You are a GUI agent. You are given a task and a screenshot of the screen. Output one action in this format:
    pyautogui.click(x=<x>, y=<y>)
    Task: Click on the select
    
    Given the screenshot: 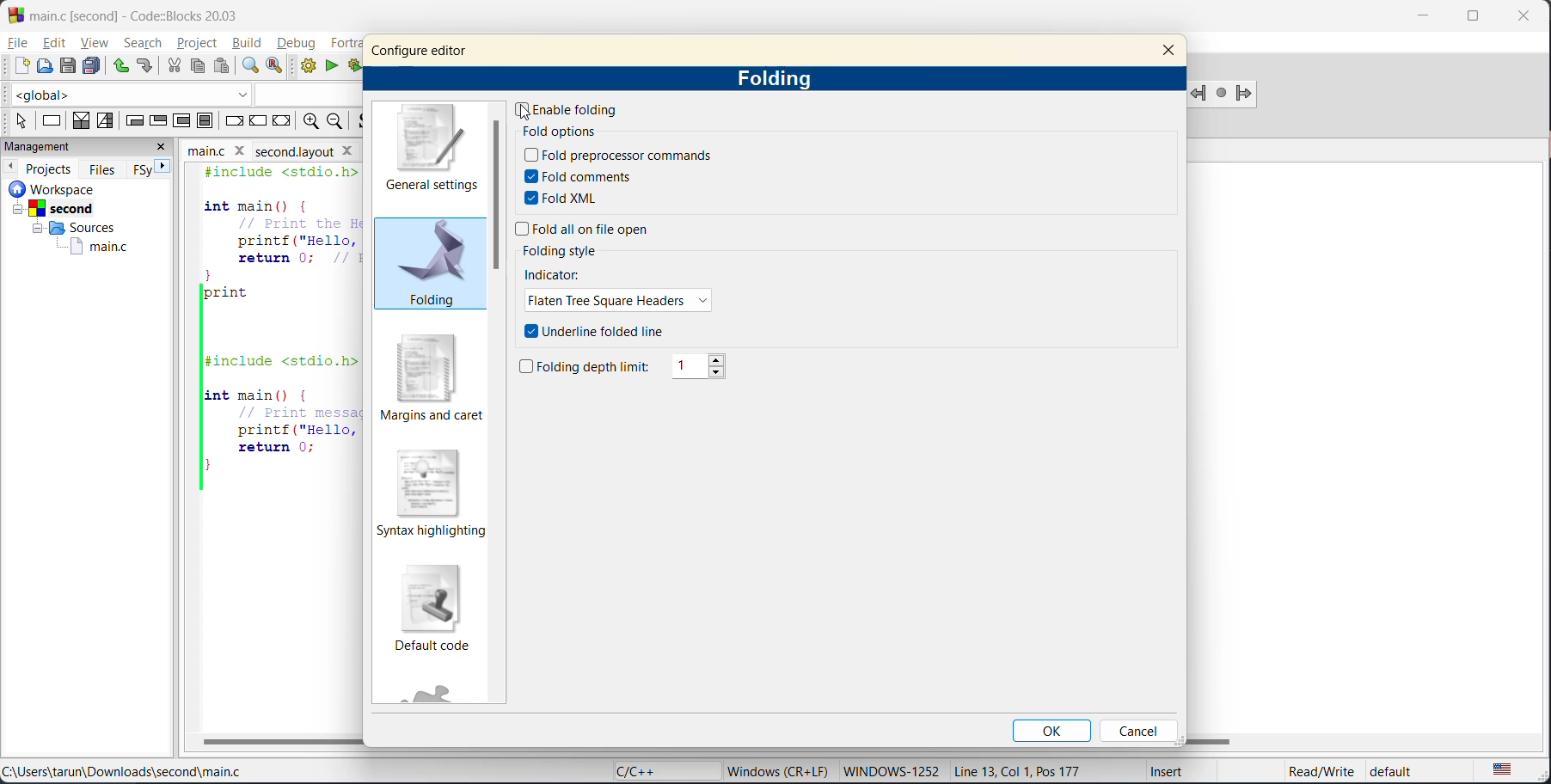 What is the action you would take?
    pyautogui.click(x=15, y=119)
    